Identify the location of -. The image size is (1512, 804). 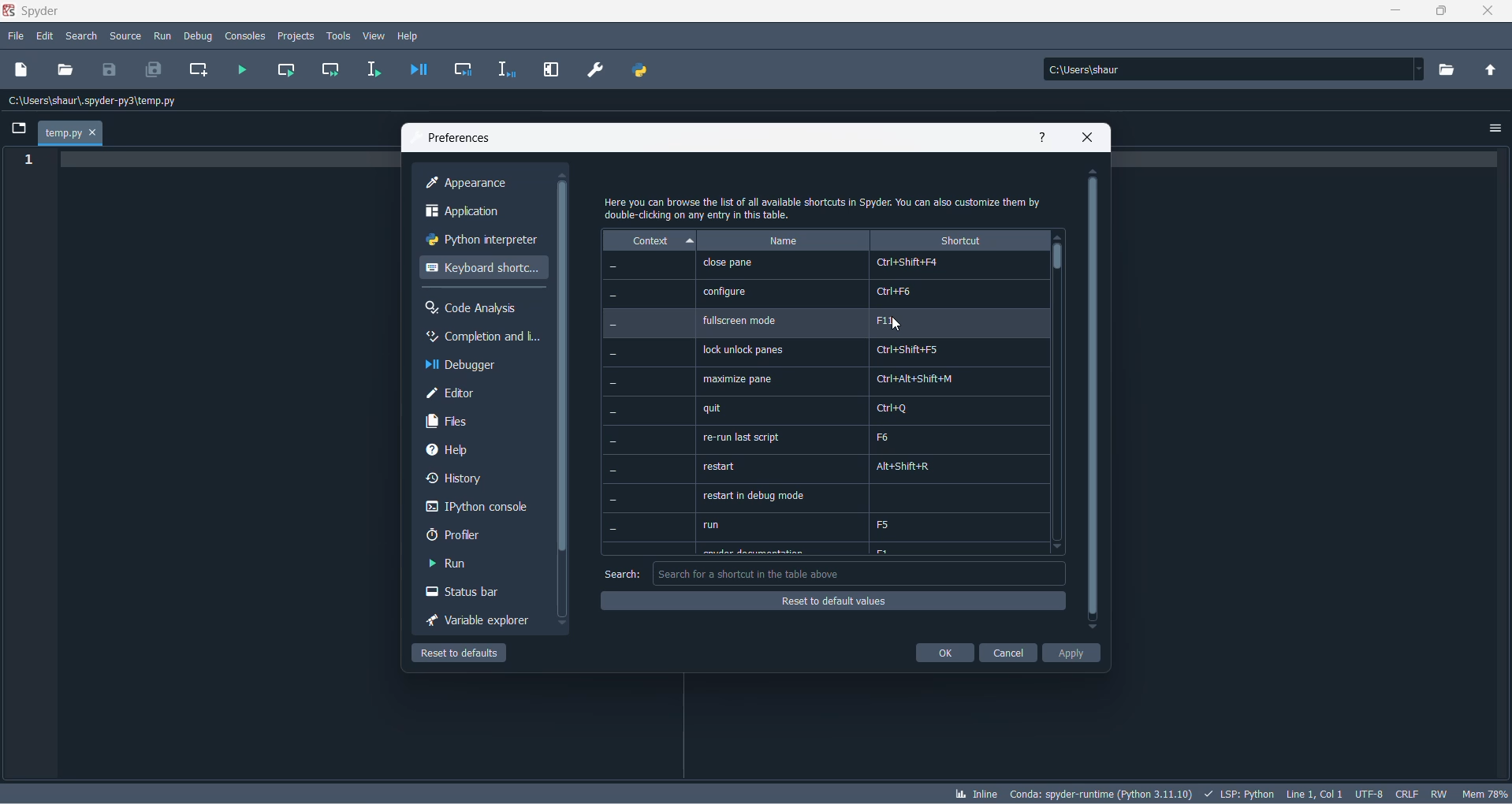
(613, 410).